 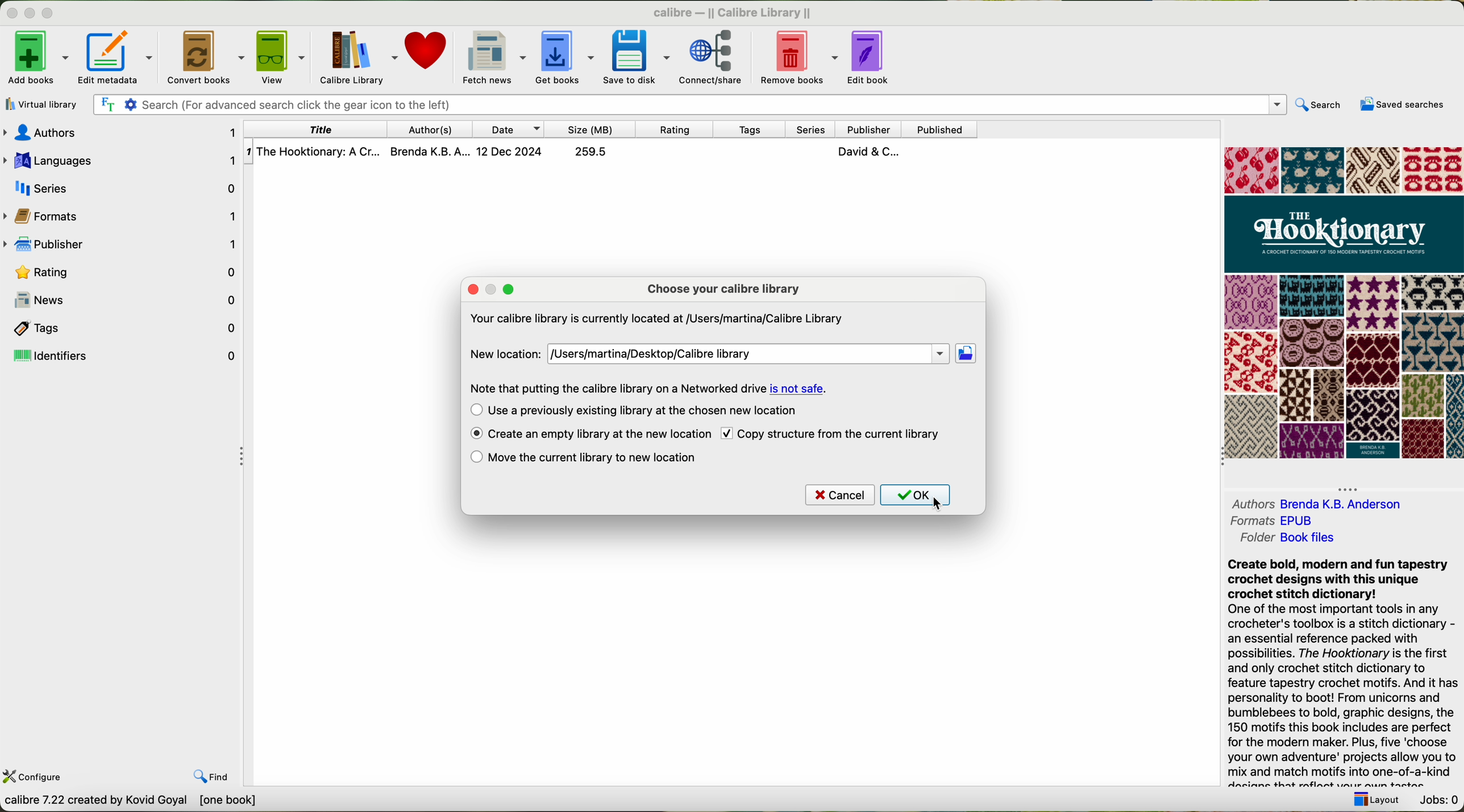 I want to click on copy structure from the current library, so click(x=841, y=435).